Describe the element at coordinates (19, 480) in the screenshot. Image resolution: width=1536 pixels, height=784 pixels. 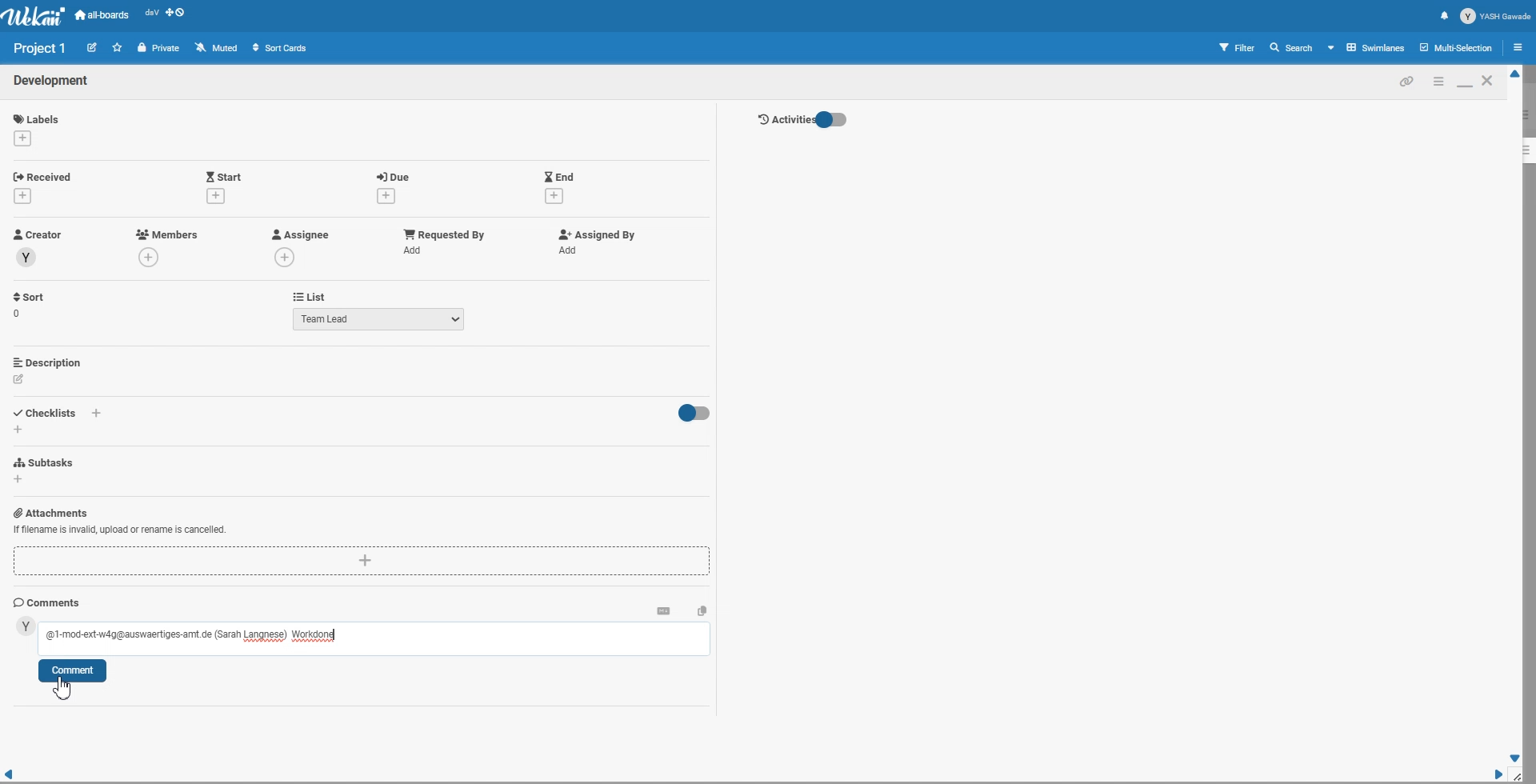
I see `add` at that location.